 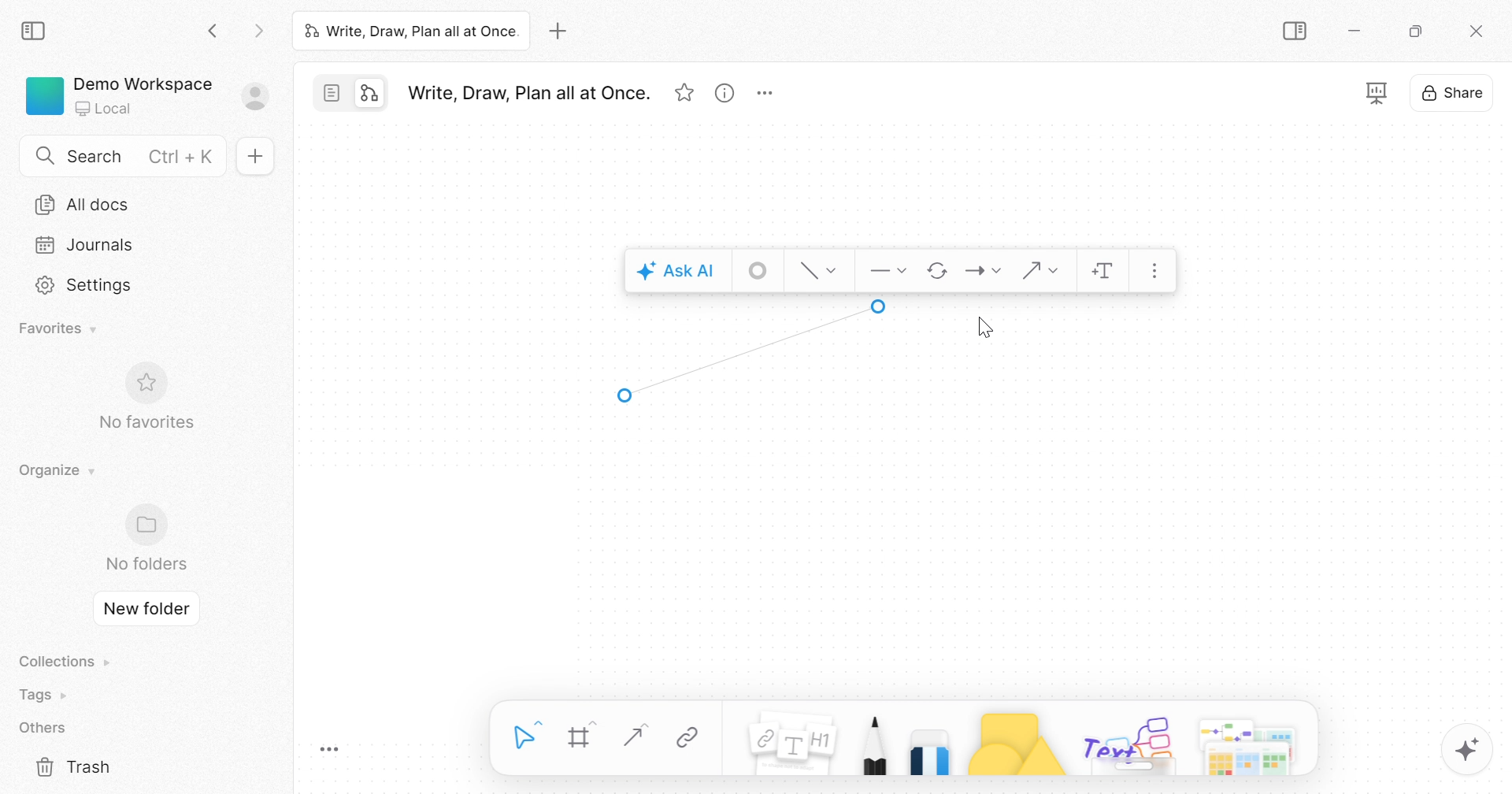 I want to click on Sign in, so click(x=264, y=98).